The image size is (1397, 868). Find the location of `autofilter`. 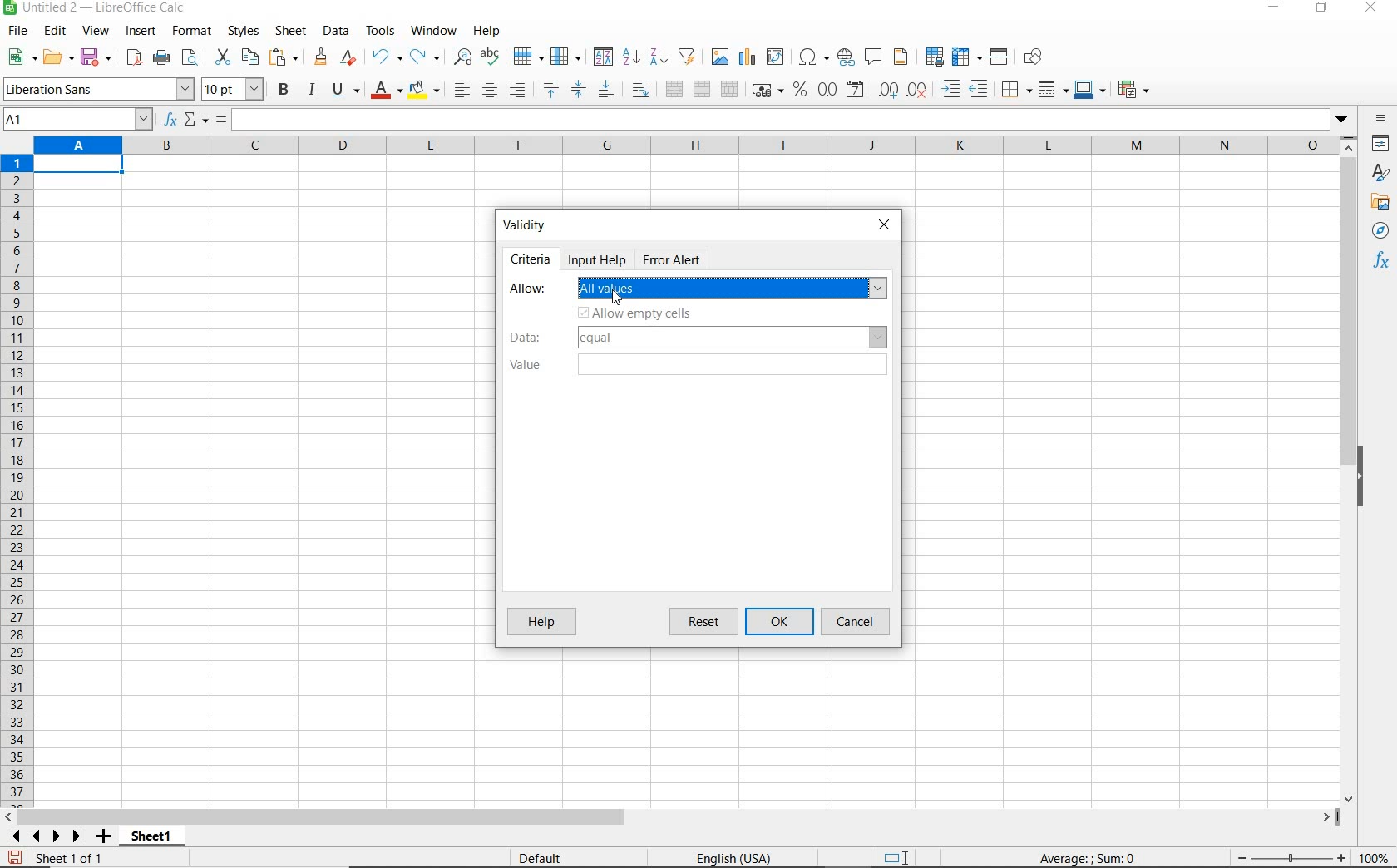

autofilter is located at coordinates (686, 57).